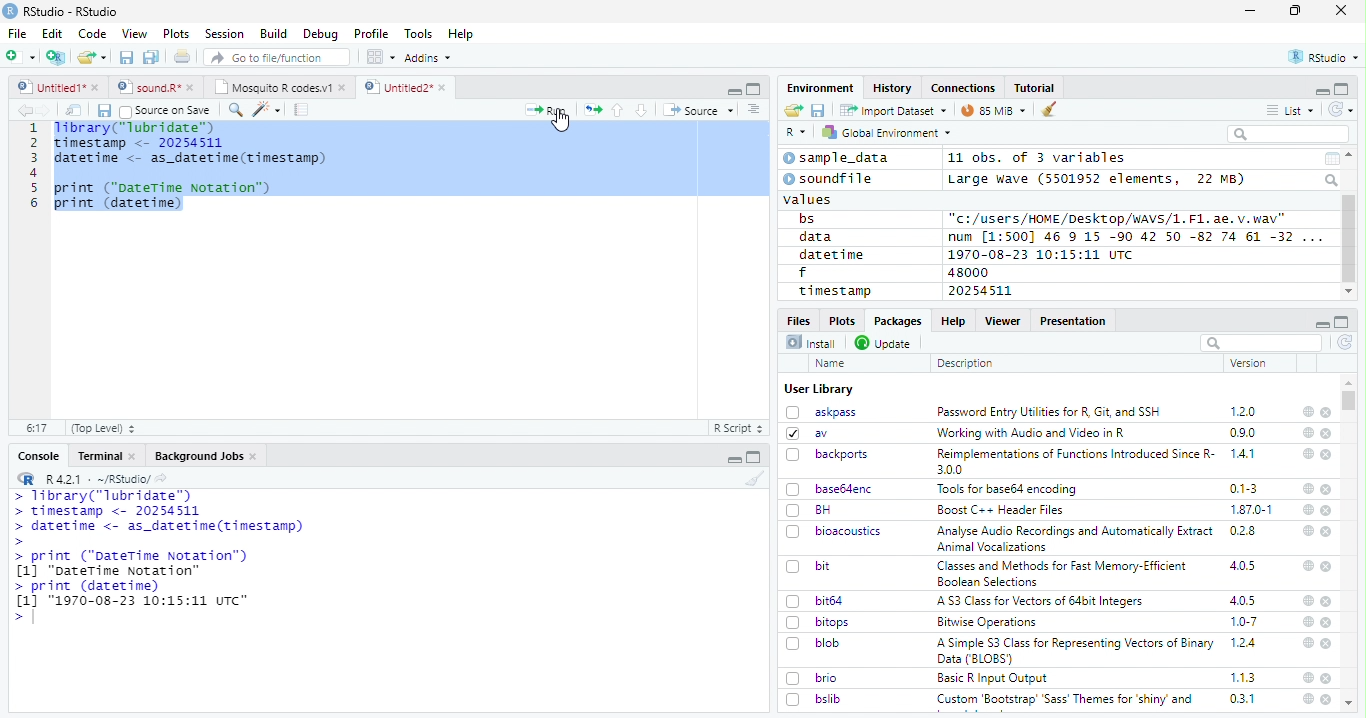  Describe the element at coordinates (1099, 179) in the screenshot. I see `Large wave (5501952 elements, 22 MB)` at that location.